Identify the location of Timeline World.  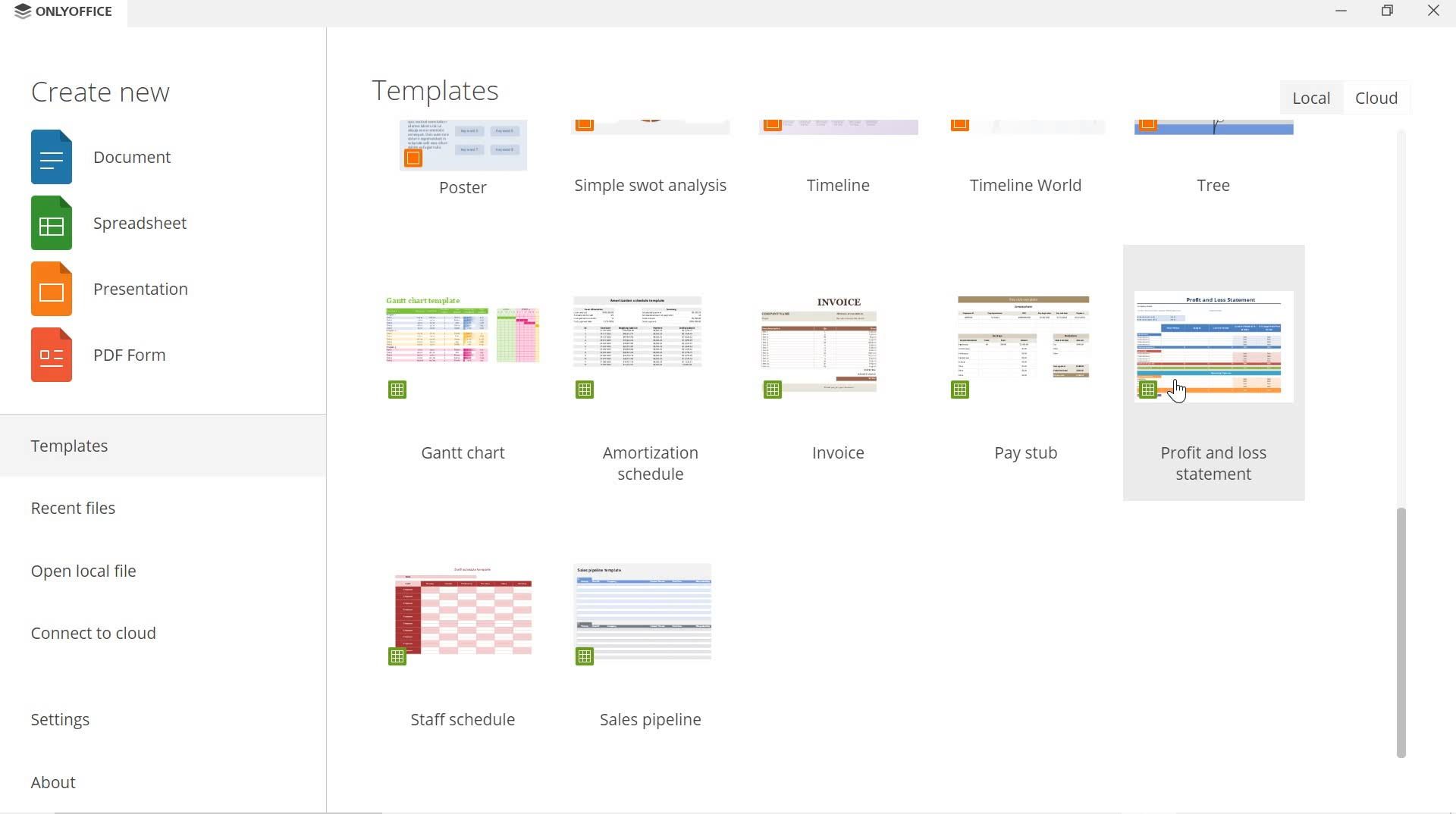
(1031, 186).